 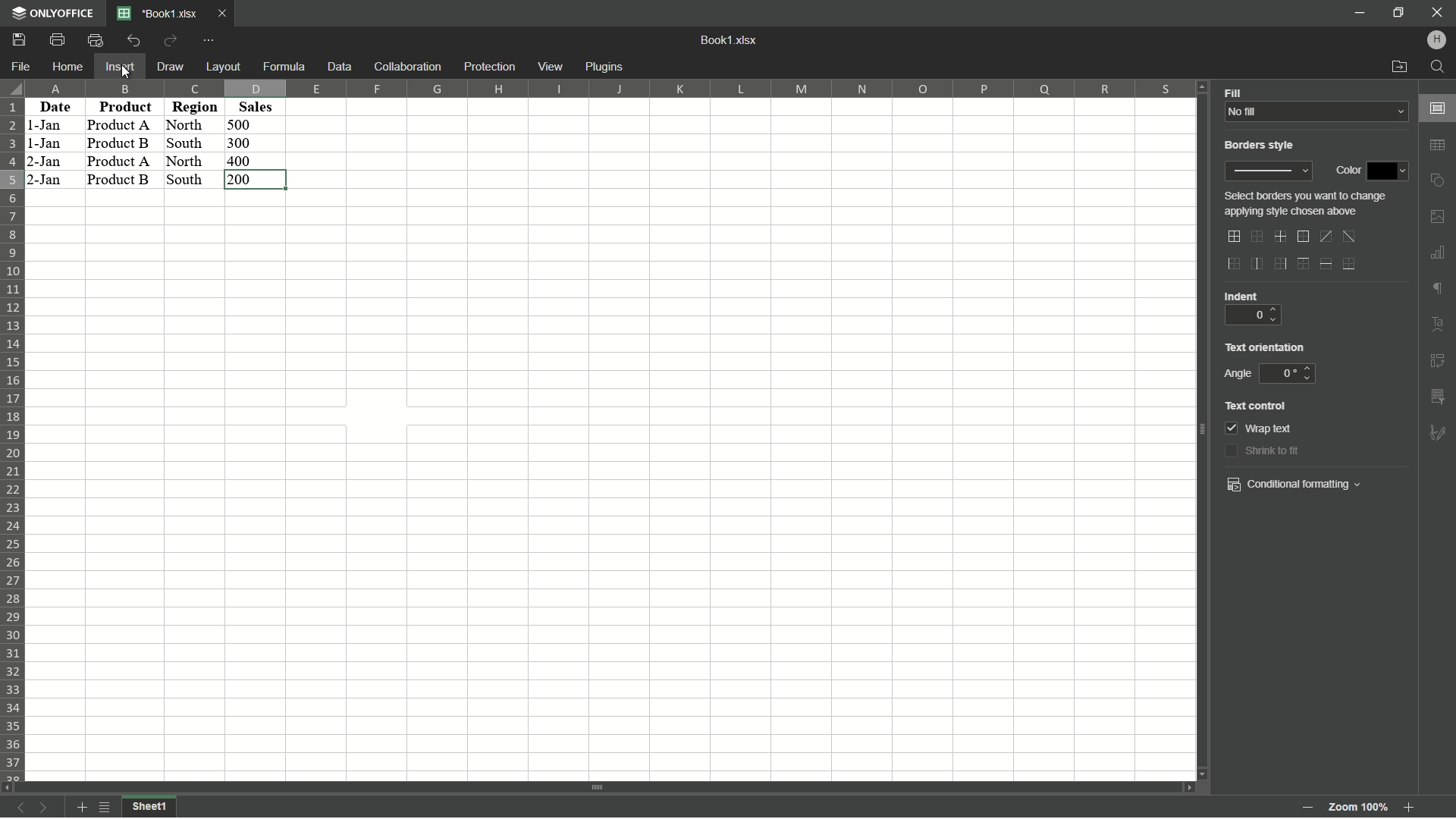 What do you see at coordinates (1359, 13) in the screenshot?
I see `minimize` at bounding box center [1359, 13].